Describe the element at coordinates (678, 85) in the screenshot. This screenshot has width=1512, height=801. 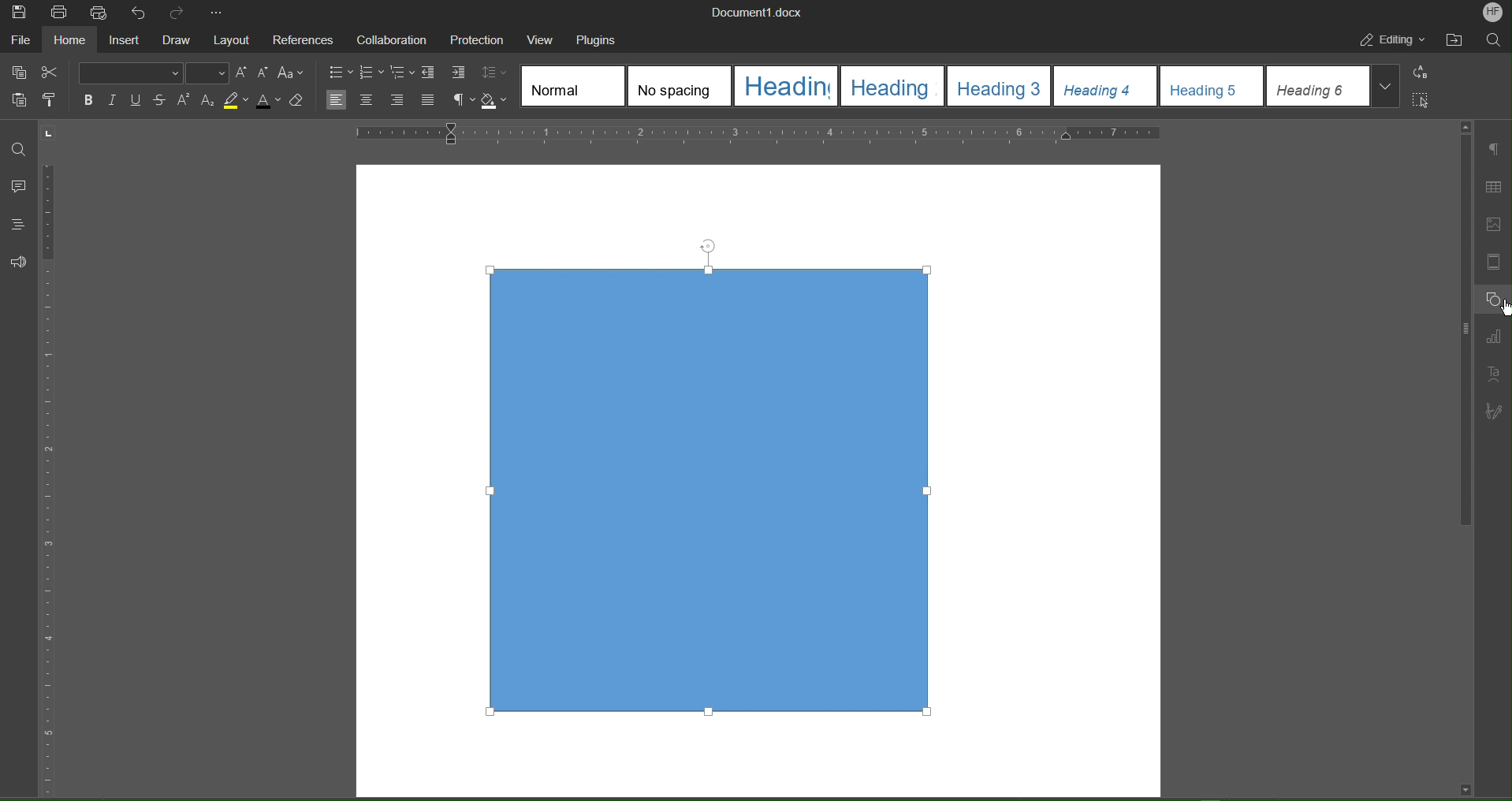
I see `No spacing` at that location.